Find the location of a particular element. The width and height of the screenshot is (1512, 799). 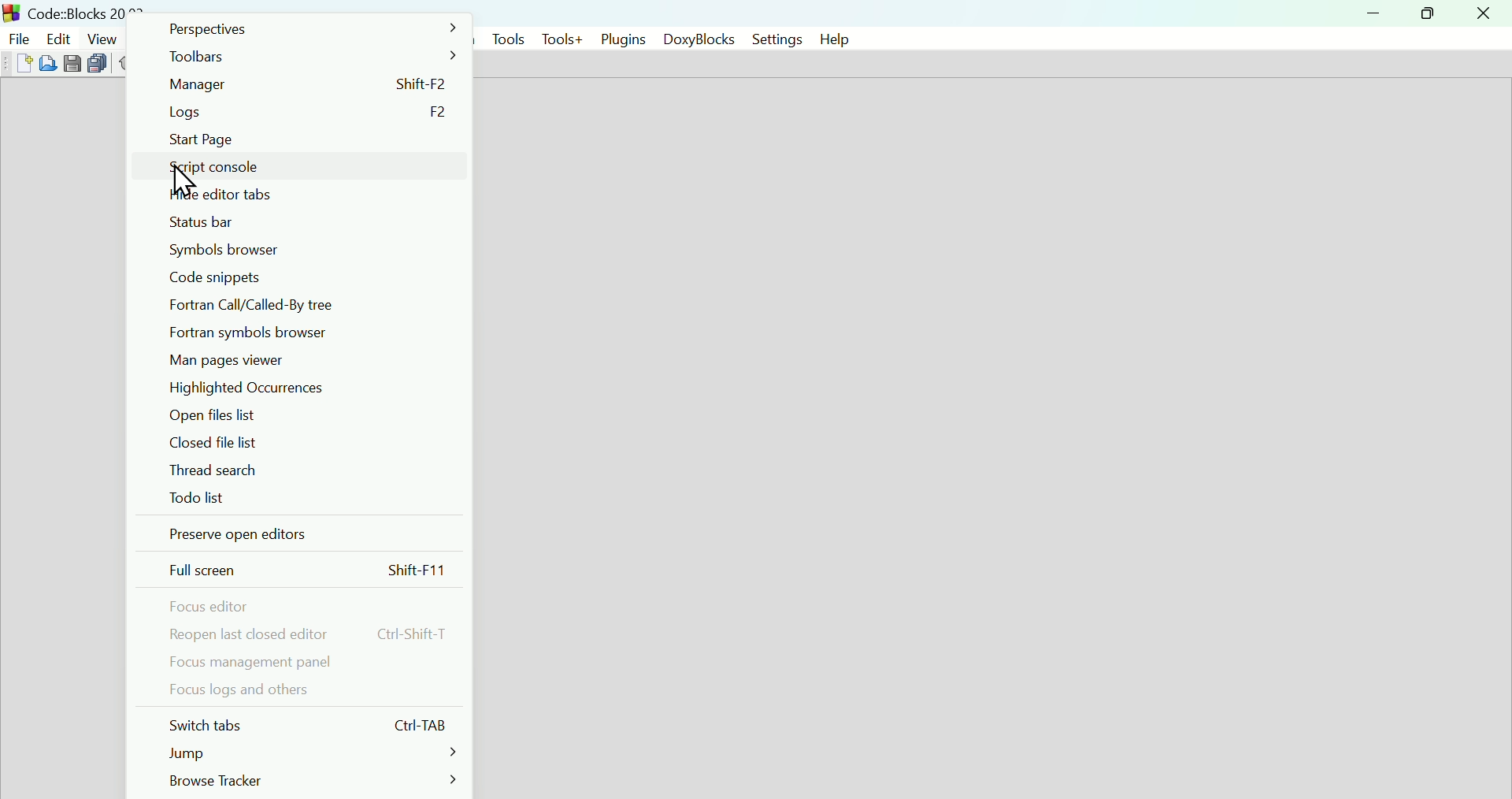

Jump is located at coordinates (309, 751).